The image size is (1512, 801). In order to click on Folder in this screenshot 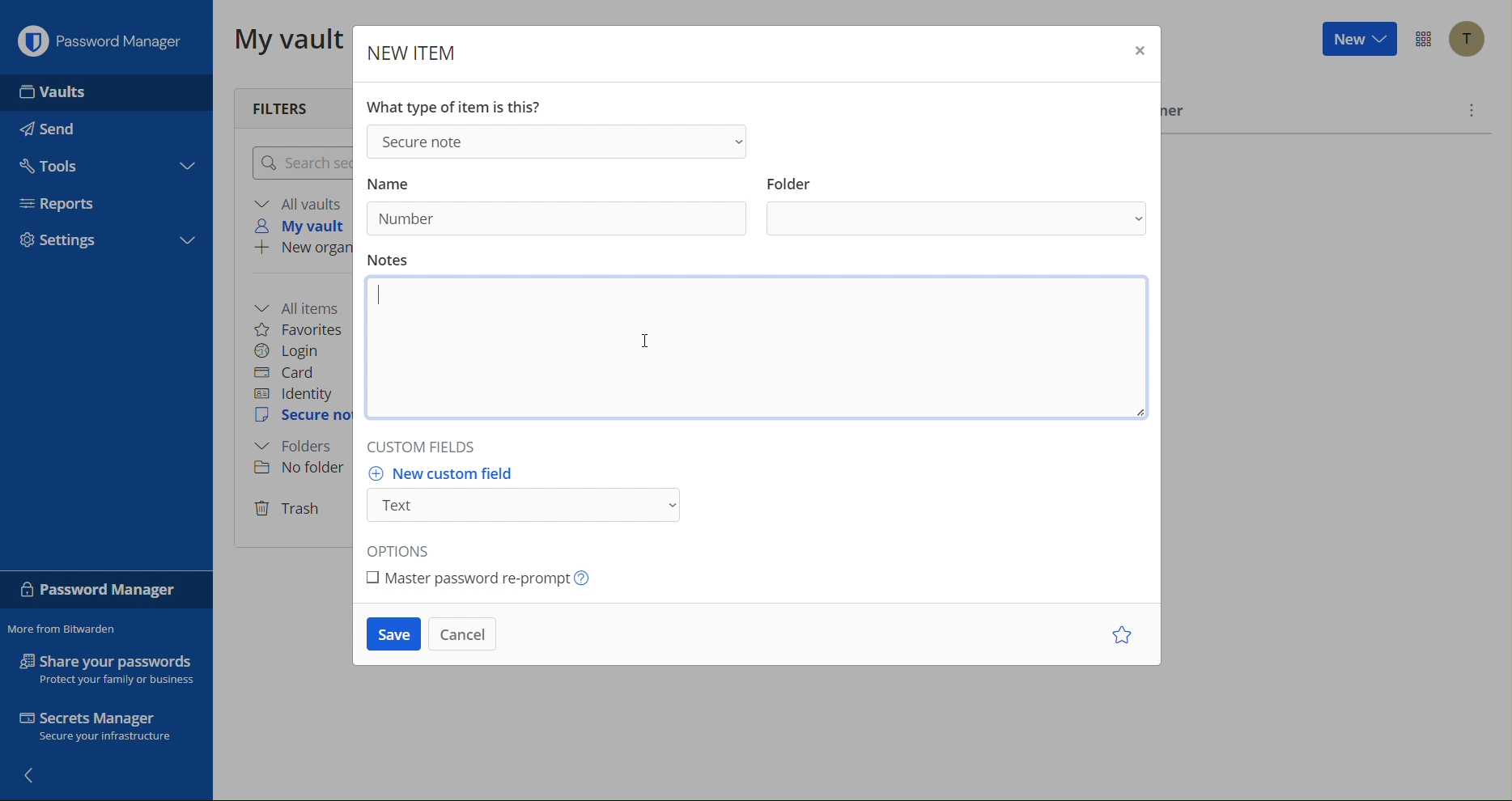, I will do `click(955, 206)`.